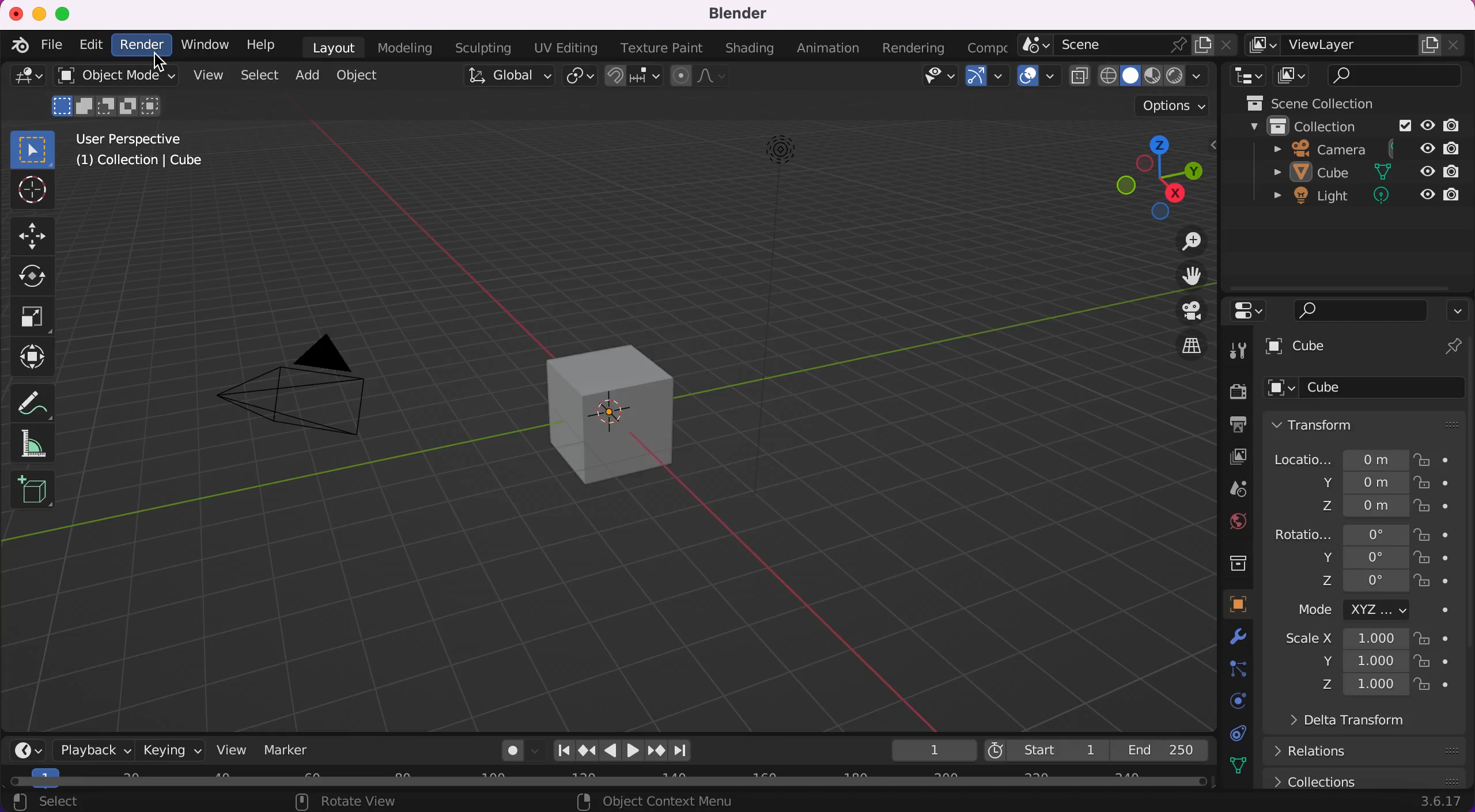 The image size is (1475, 812). Describe the element at coordinates (912, 48) in the screenshot. I see `rendering` at that location.